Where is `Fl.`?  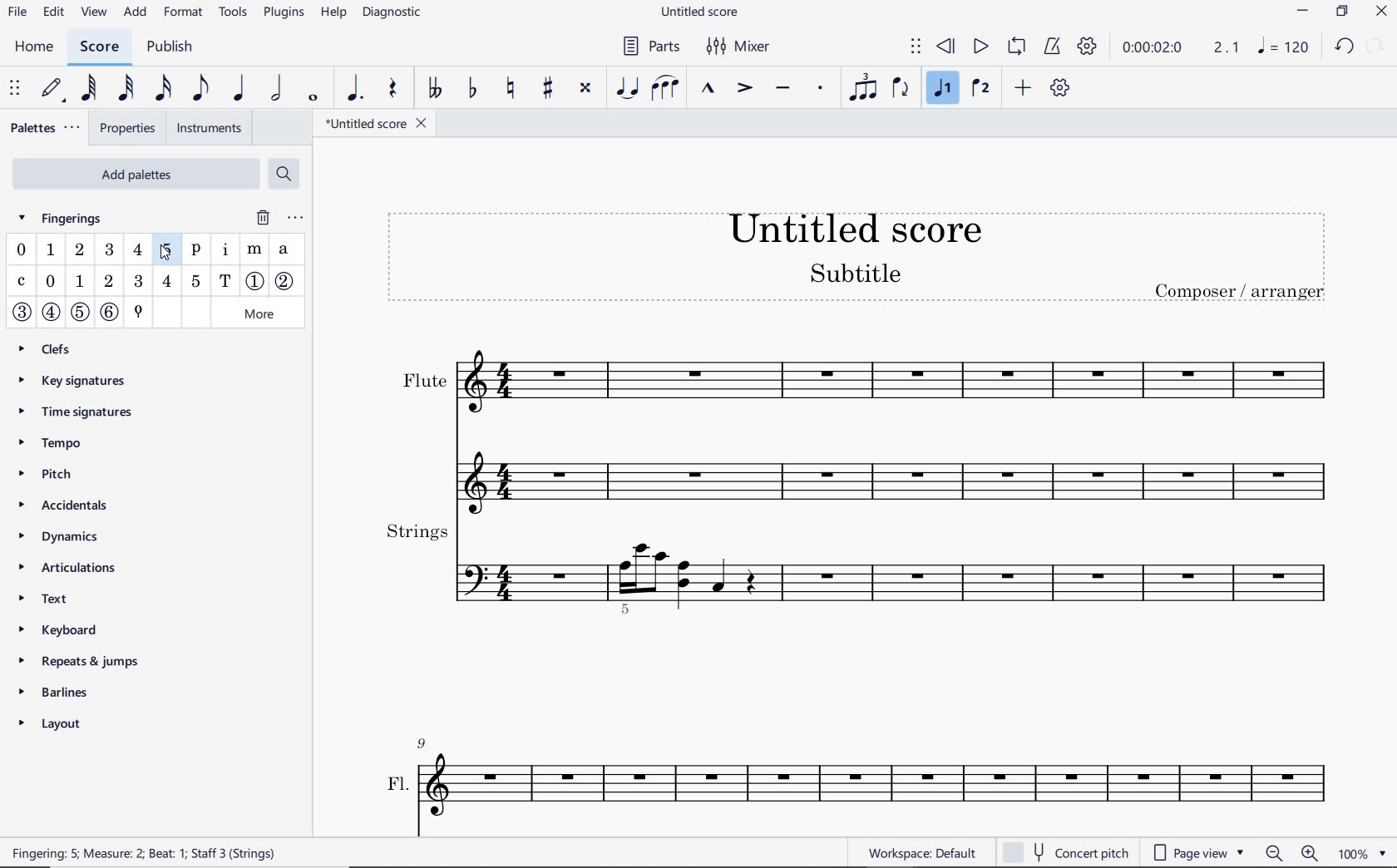 Fl. is located at coordinates (863, 772).